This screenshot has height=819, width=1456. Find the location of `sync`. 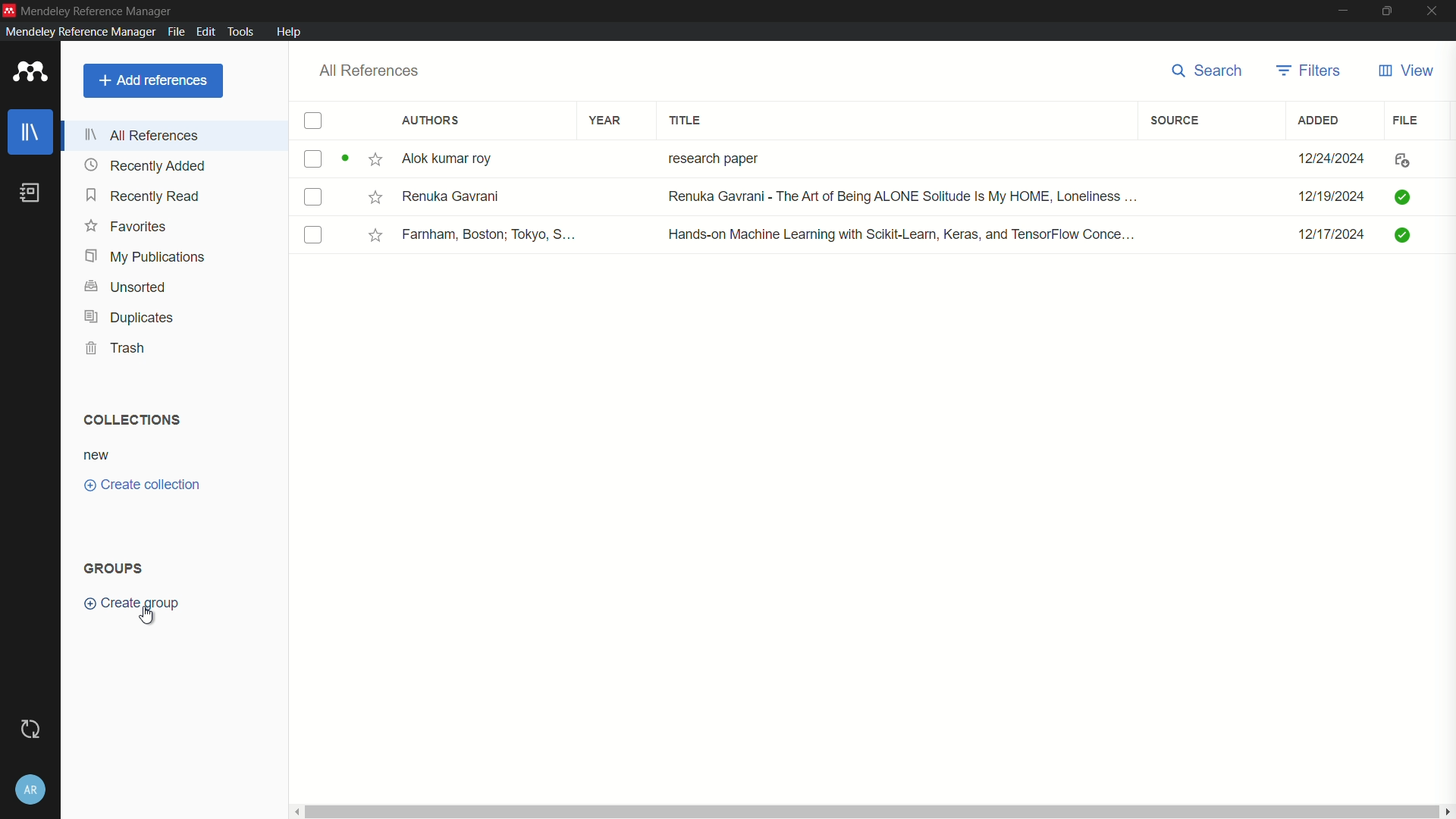

sync is located at coordinates (29, 730).